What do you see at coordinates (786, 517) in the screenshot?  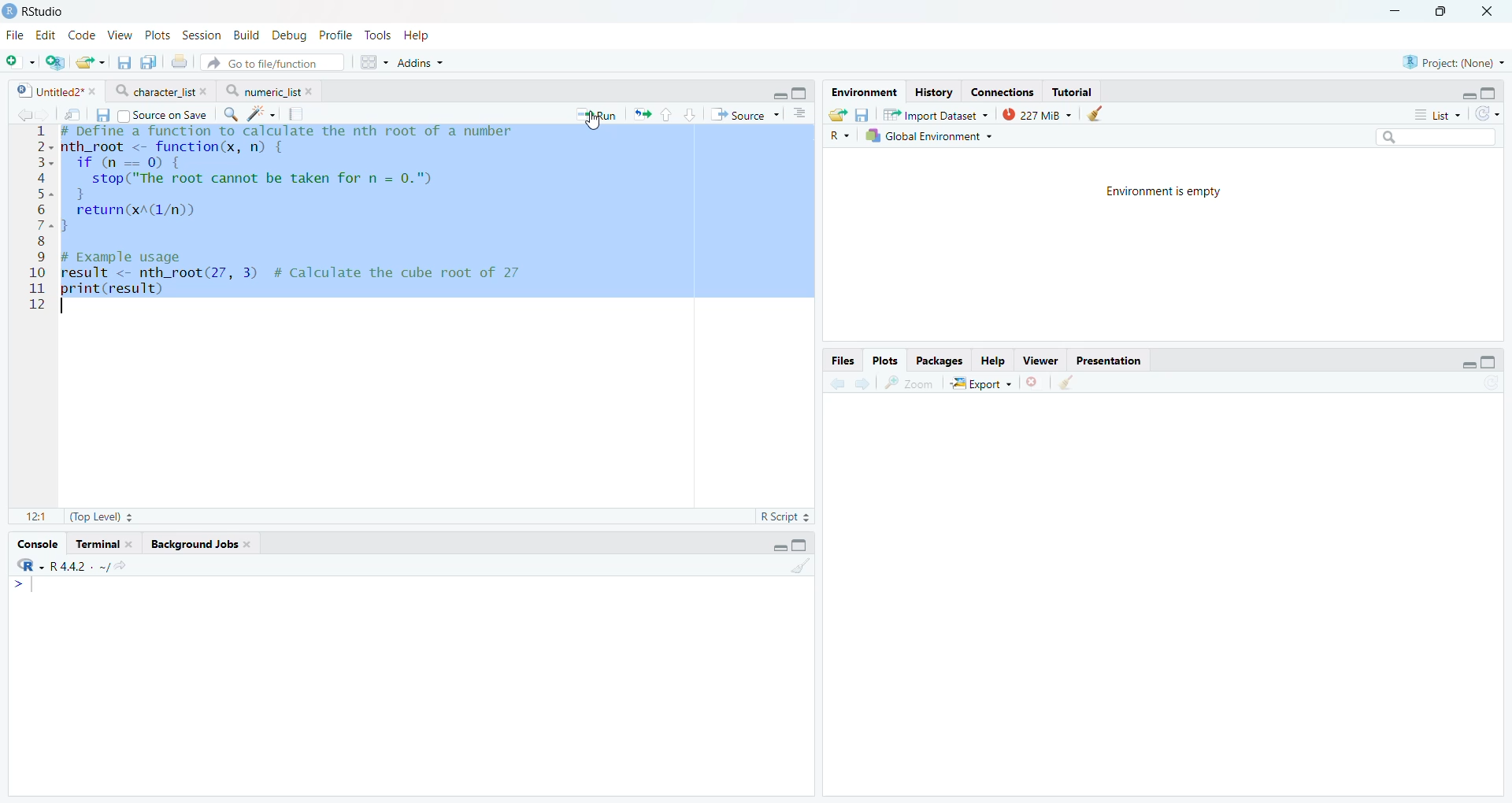 I see `R Script` at bounding box center [786, 517].